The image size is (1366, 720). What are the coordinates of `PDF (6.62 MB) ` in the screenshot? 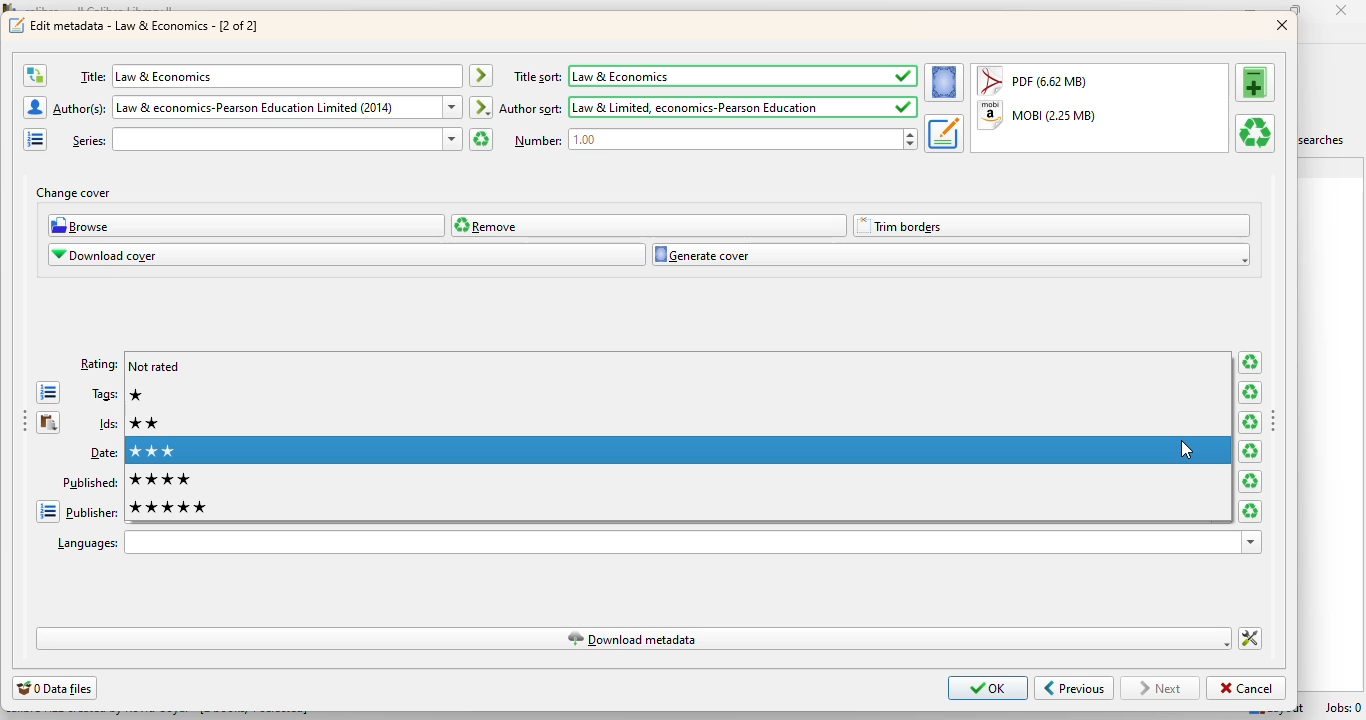 It's located at (1036, 80).